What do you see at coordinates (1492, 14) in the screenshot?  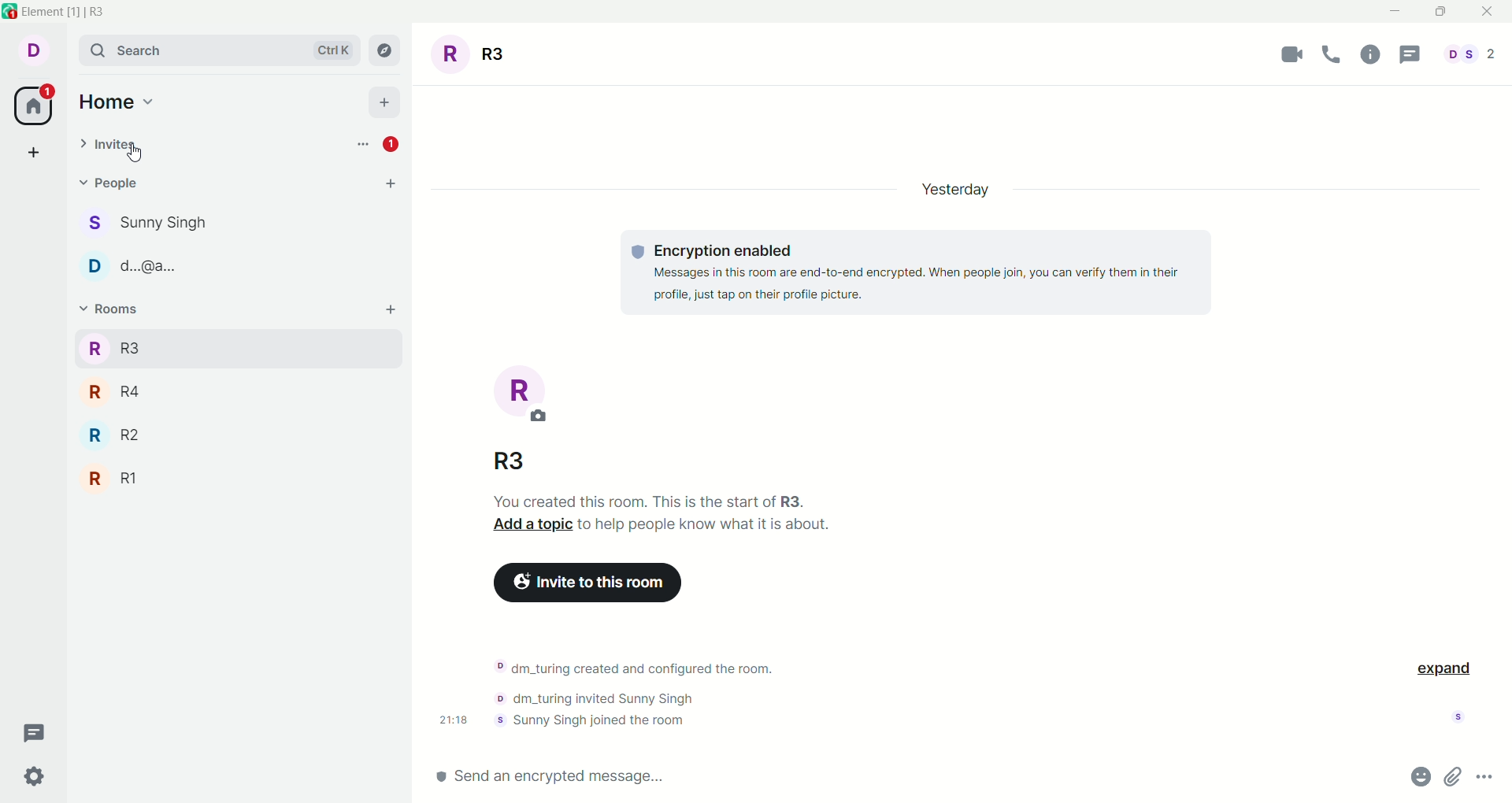 I see `close` at bounding box center [1492, 14].